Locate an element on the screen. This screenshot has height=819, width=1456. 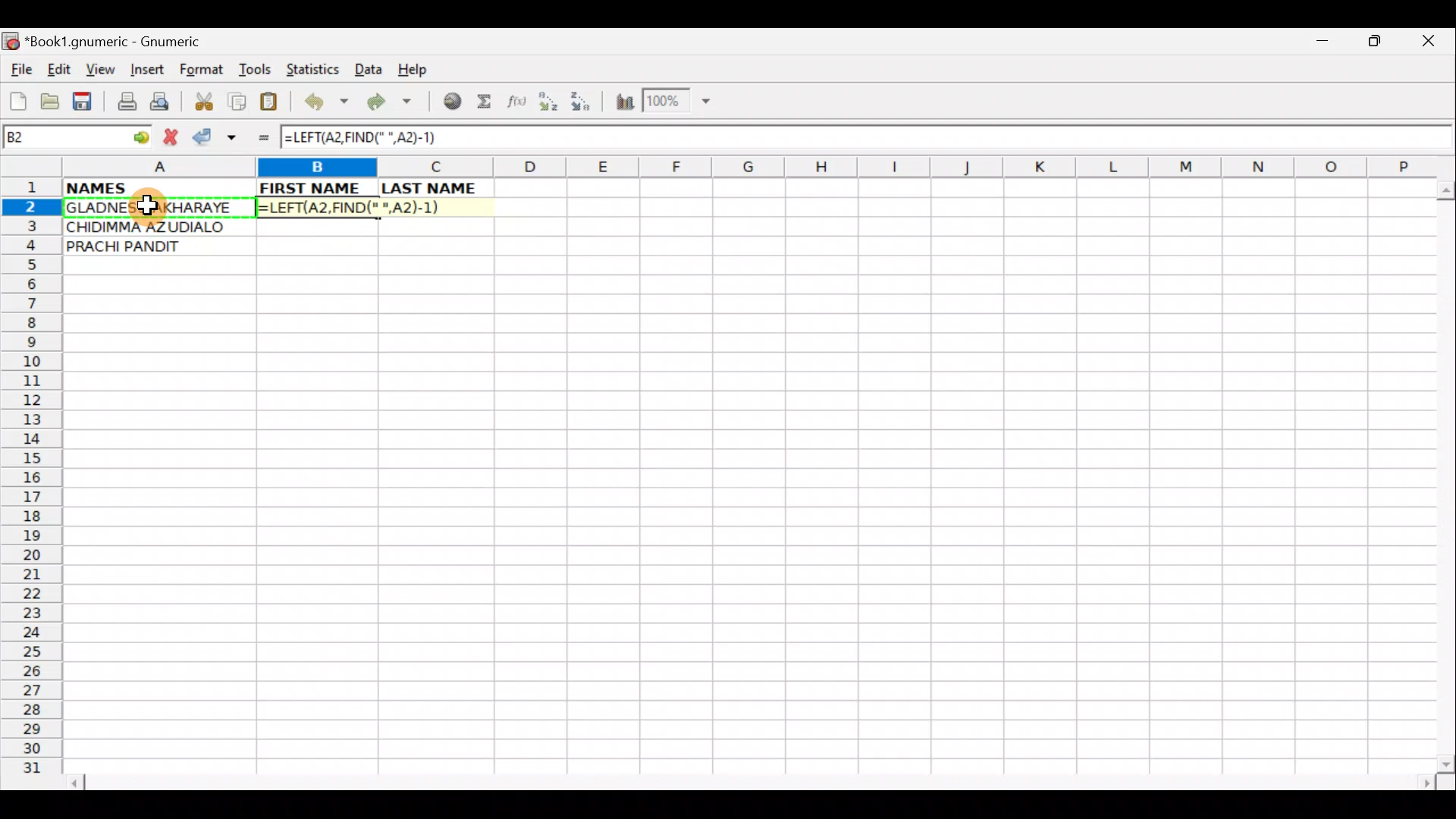
Scroll bar is located at coordinates (1442, 473).